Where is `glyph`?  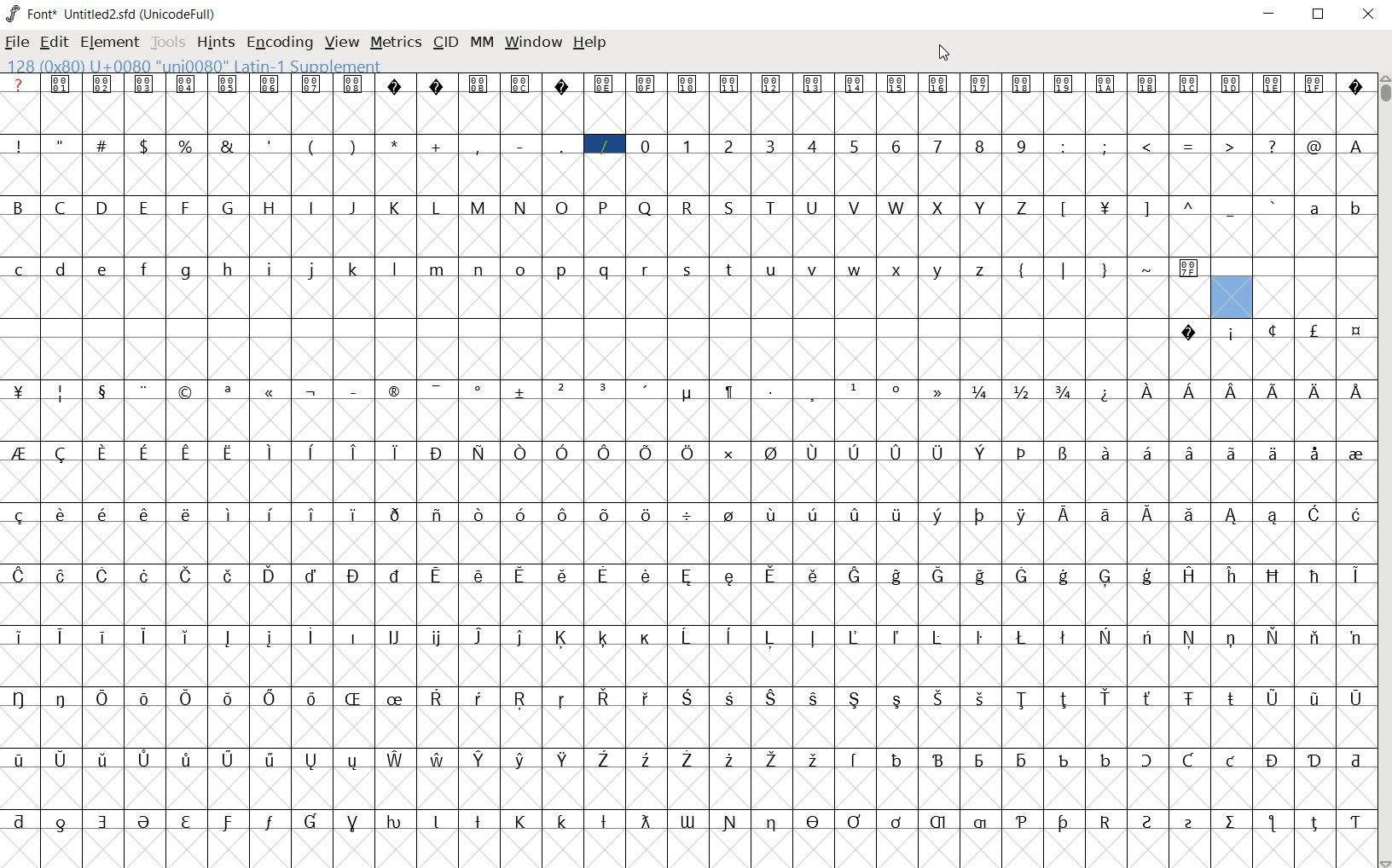 glyph is located at coordinates (1106, 578).